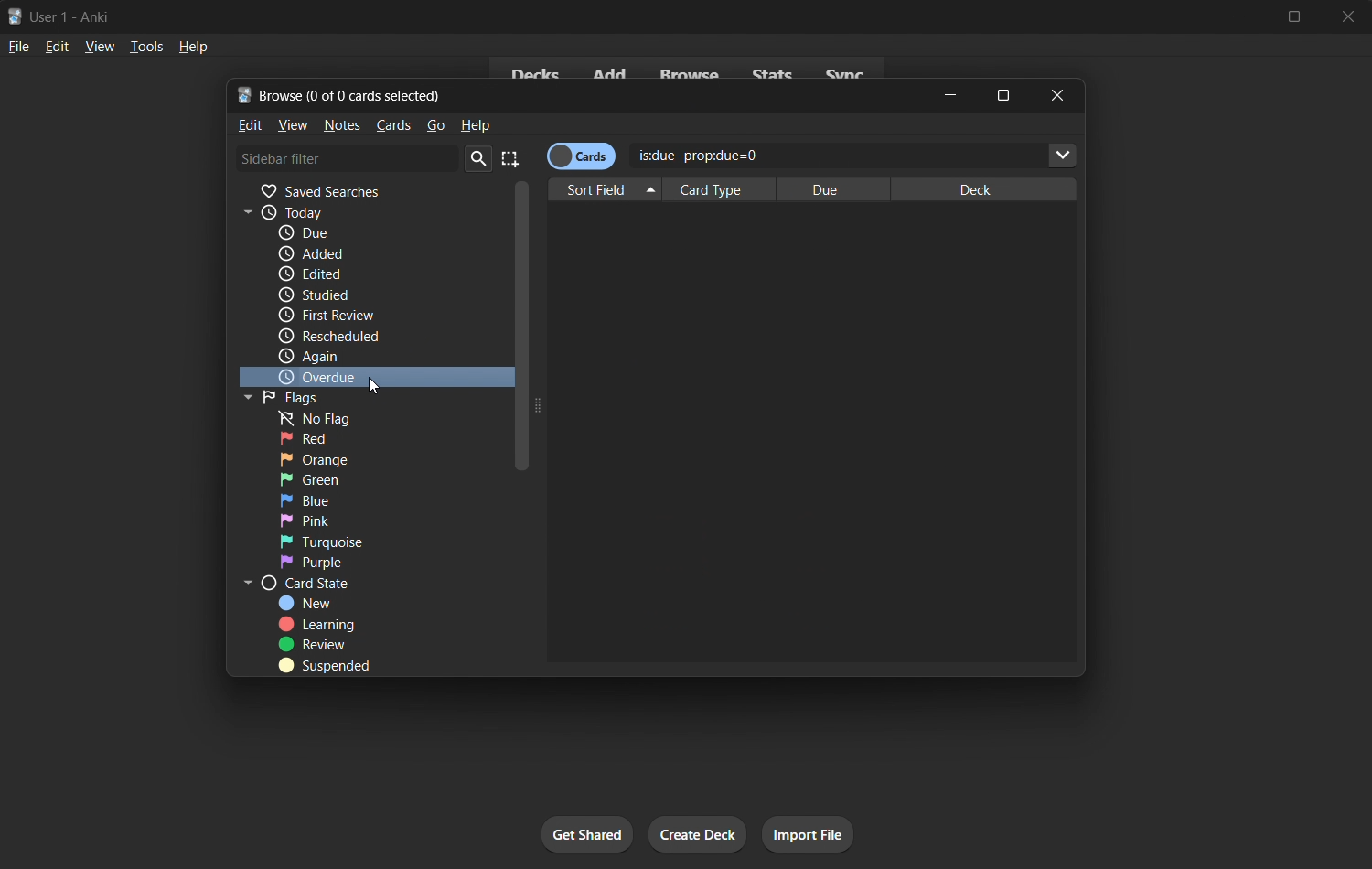 The height and width of the screenshot is (869, 1372). I want to click on blue, so click(335, 500).